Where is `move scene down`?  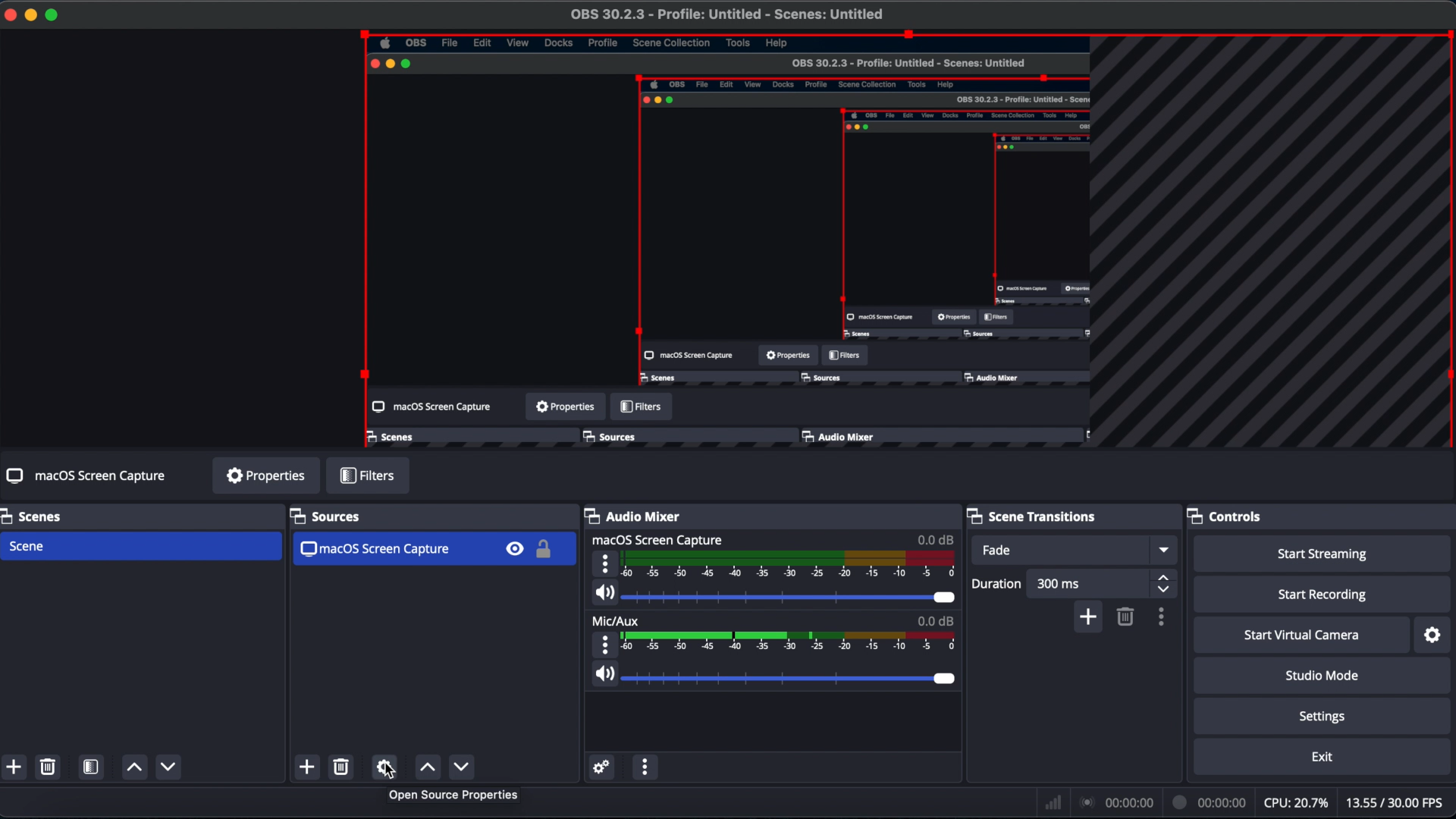 move scene down is located at coordinates (168, 766).